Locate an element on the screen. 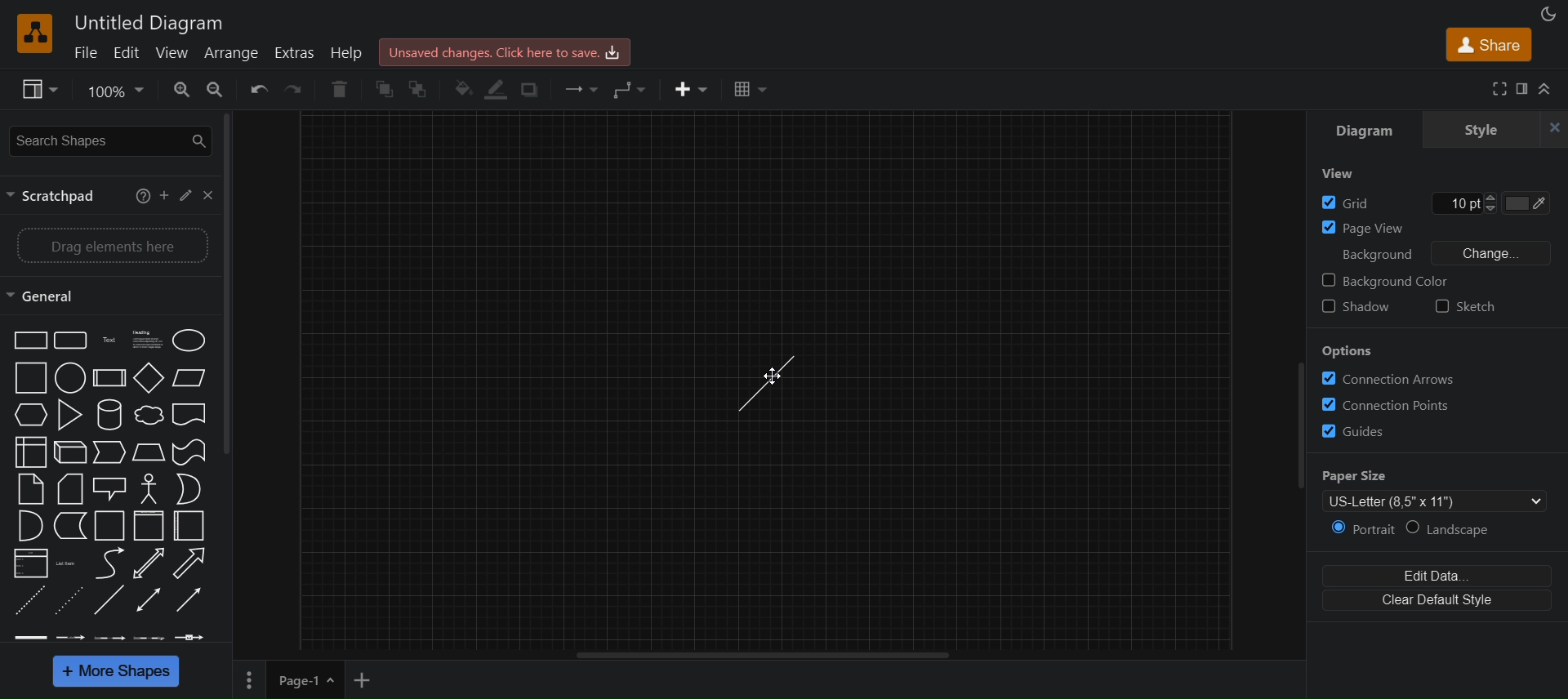  fill color is located at coordinates (459, 89).